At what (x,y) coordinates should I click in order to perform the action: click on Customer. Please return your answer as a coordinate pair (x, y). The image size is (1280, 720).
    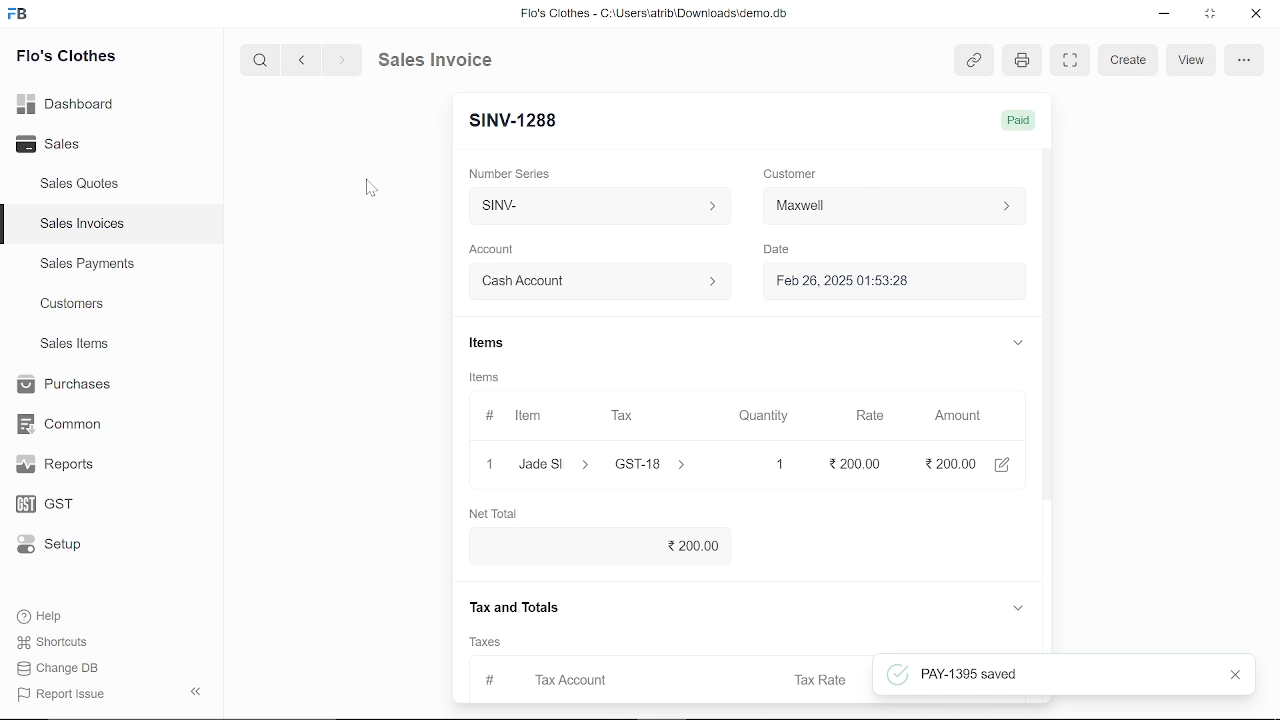
    Looking at the image, I should click on (792, 173).